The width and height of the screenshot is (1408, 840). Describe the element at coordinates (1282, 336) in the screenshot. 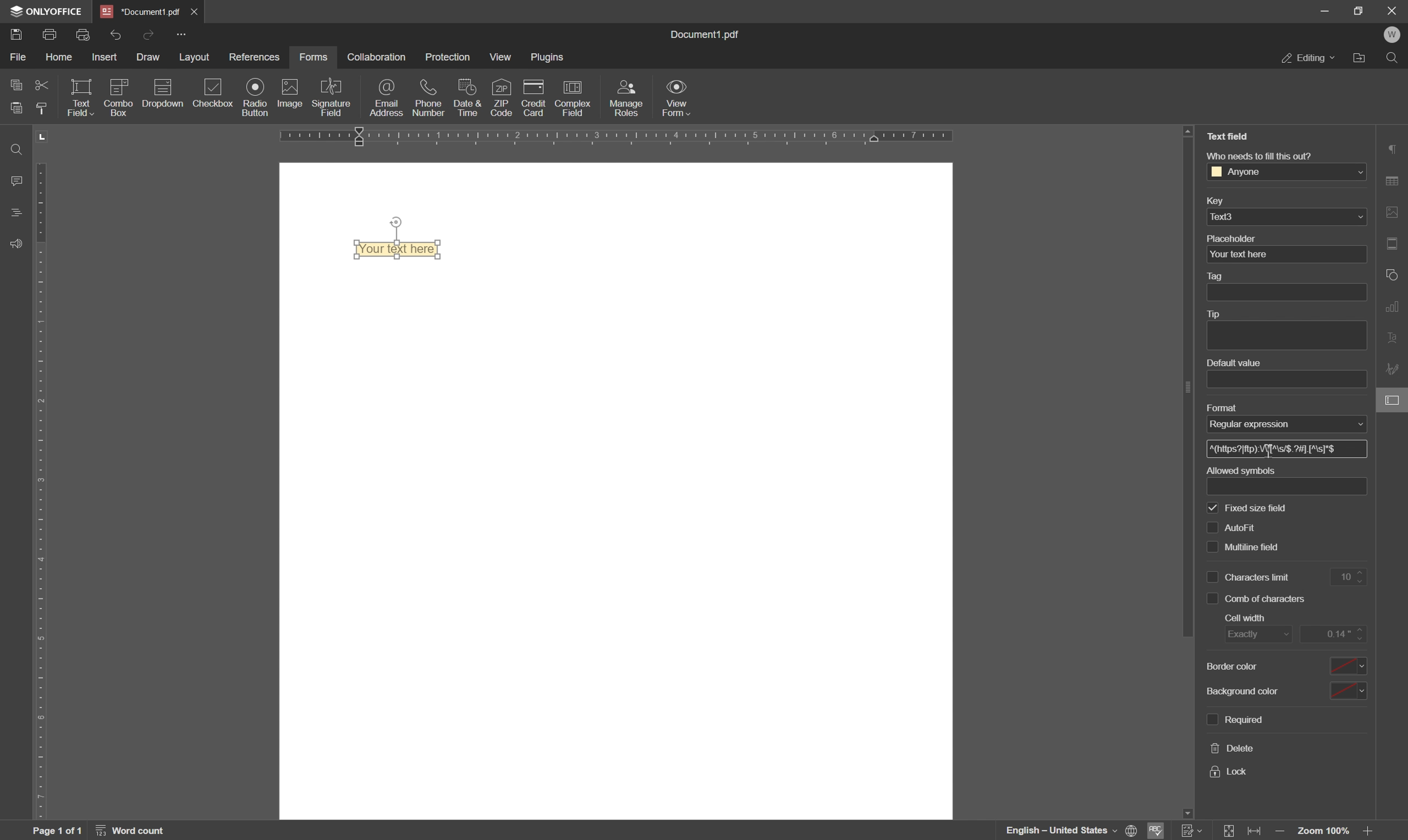

I see `tip text box` at that location.